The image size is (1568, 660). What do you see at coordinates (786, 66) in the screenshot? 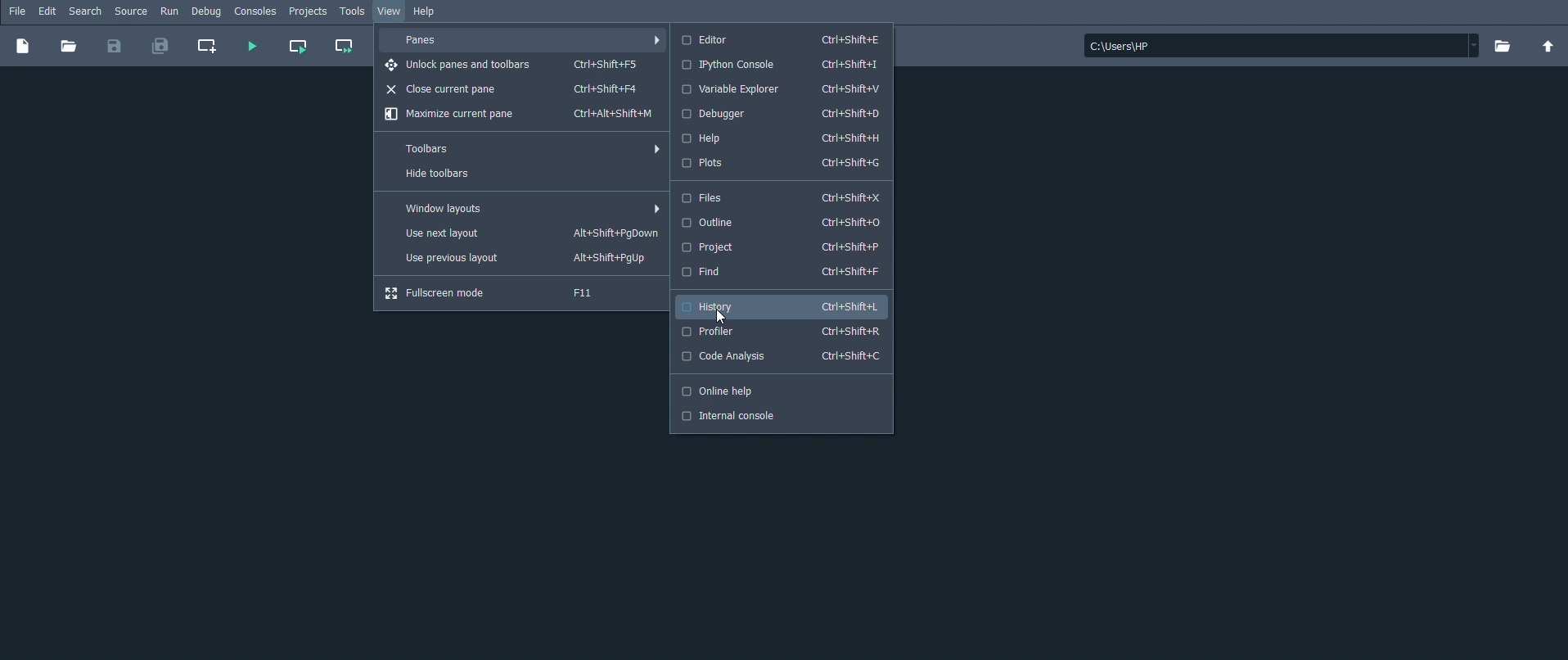
I see `IPython console` at bounding box center [786, 66].